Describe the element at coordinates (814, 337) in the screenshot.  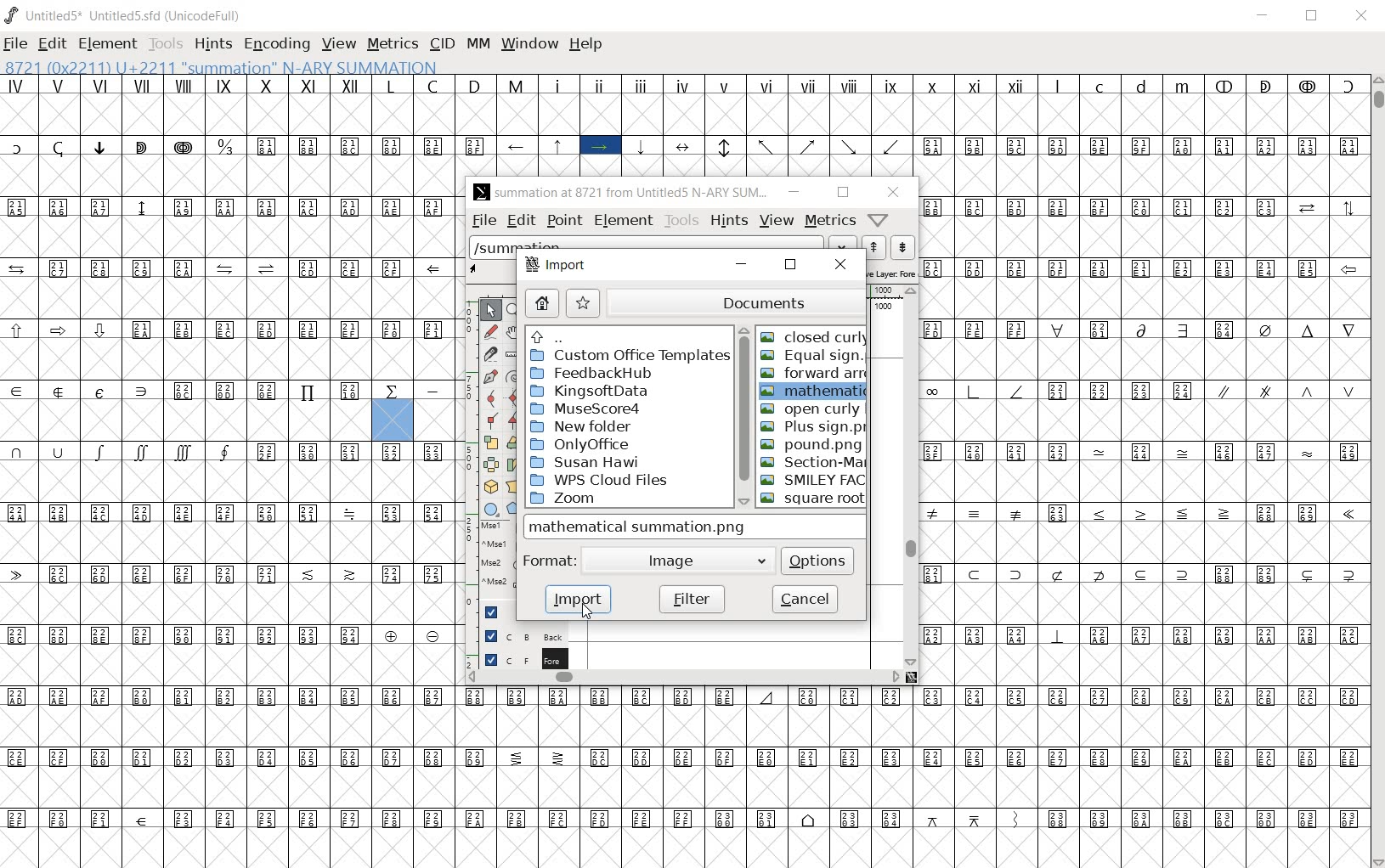
I see `closed curly` at that location.